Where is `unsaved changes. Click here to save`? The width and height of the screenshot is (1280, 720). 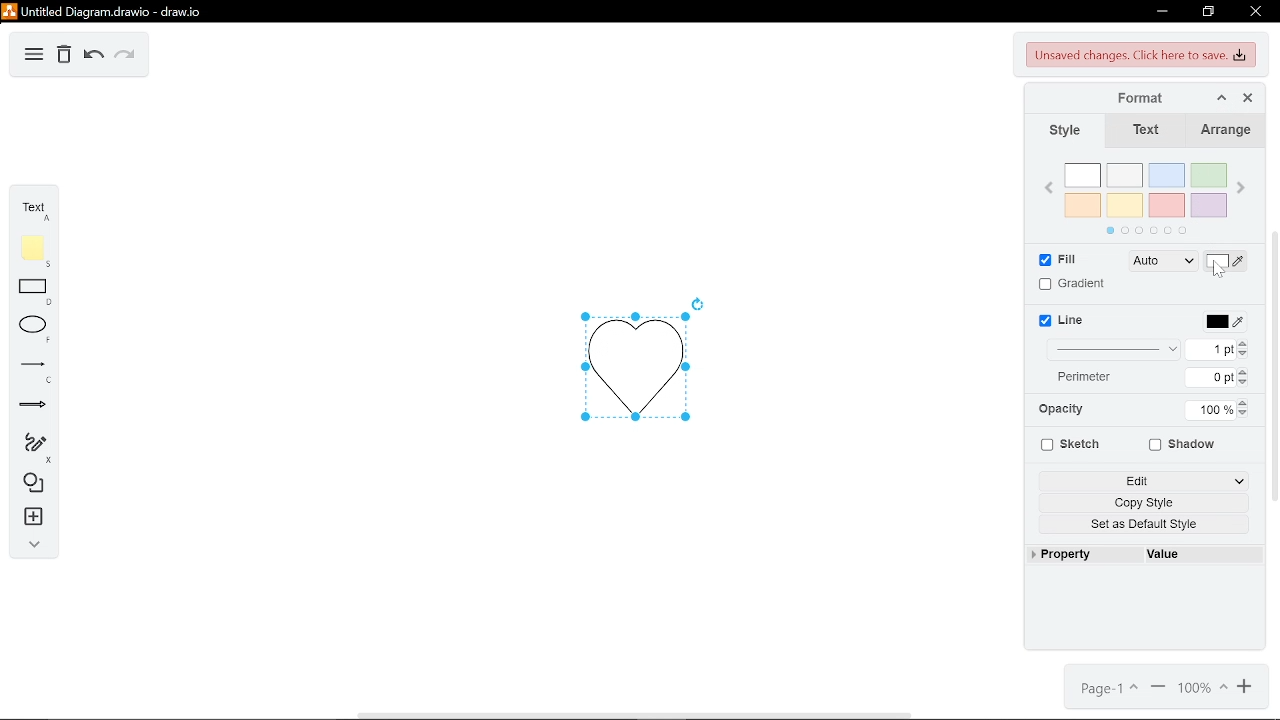
unsaved changes. Click here to save is located at coordinates (1142, 56).